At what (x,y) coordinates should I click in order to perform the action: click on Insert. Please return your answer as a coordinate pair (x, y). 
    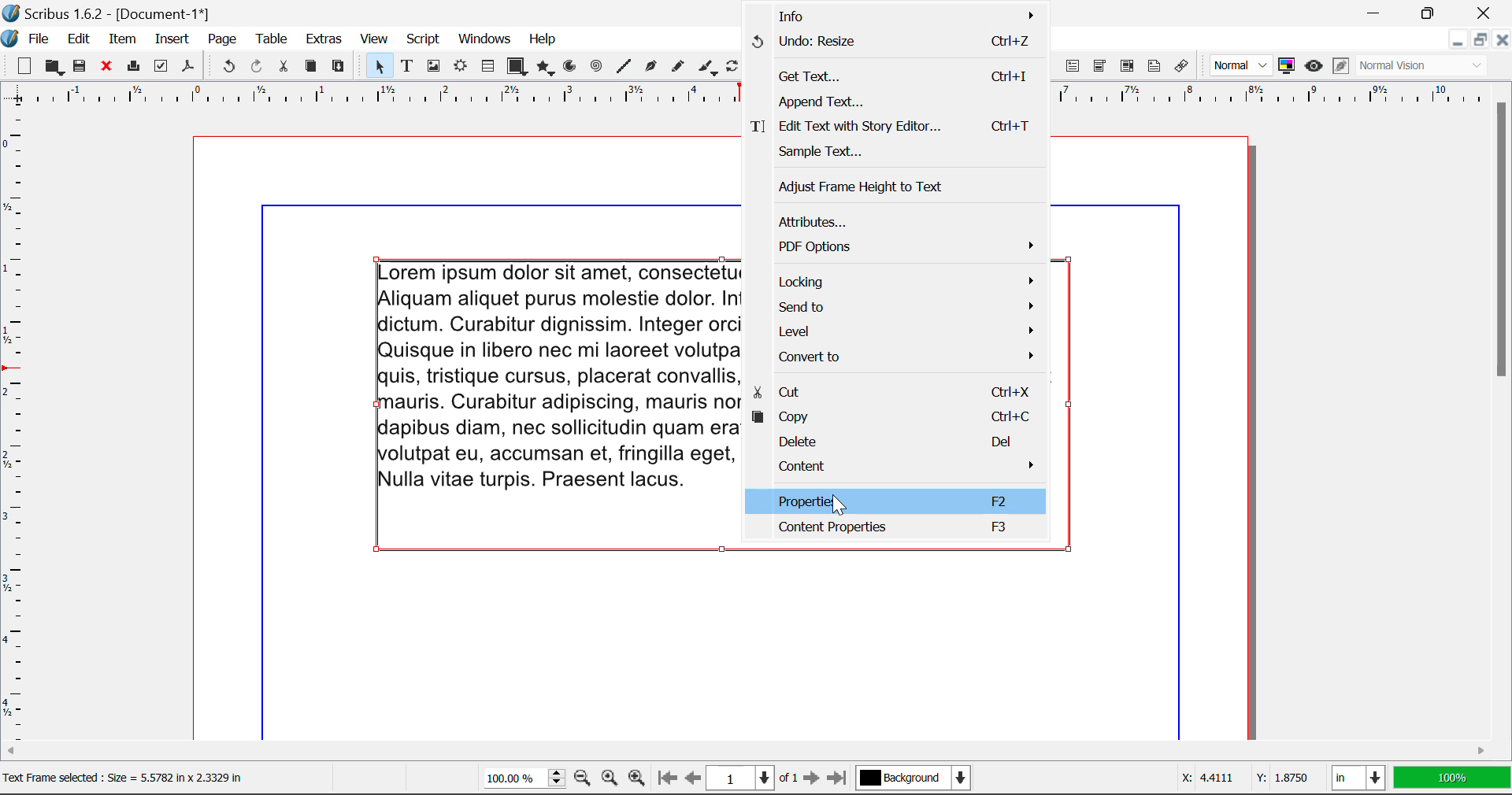
    Looking at the image, I should click on (170, 42).